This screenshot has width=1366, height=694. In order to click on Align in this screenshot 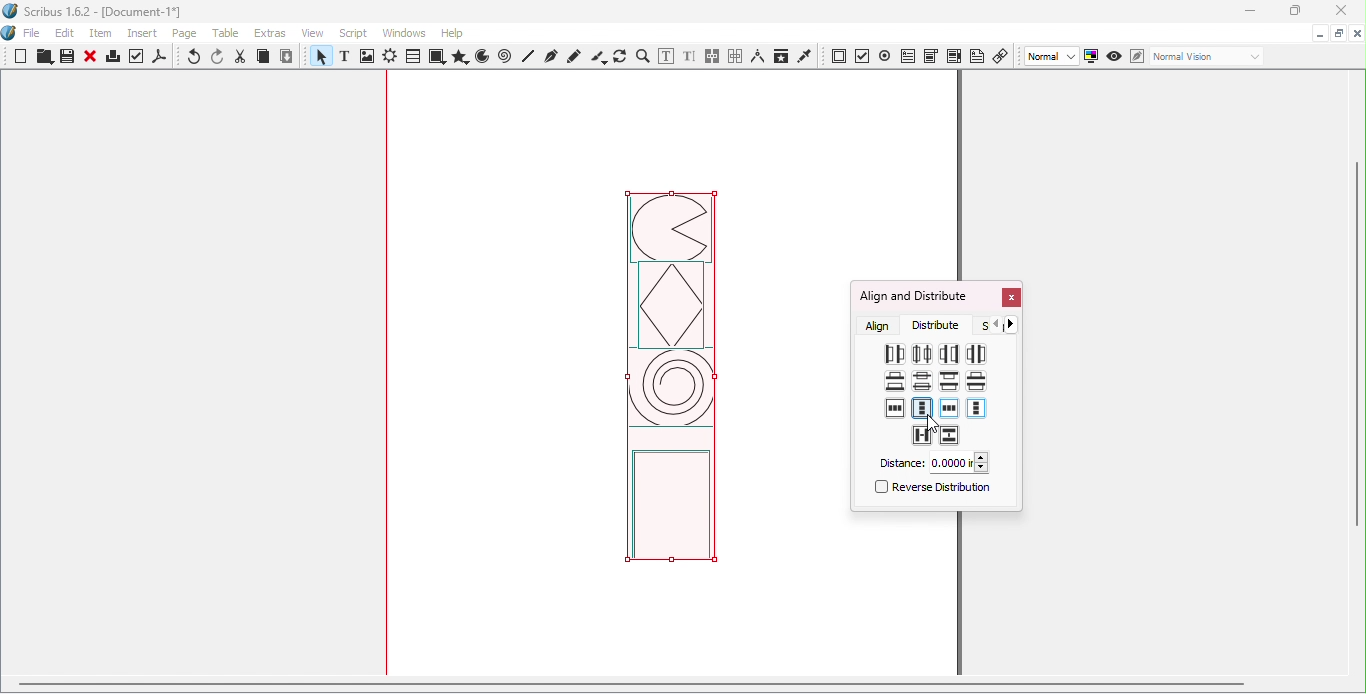, I will do `click(879, 325)`.